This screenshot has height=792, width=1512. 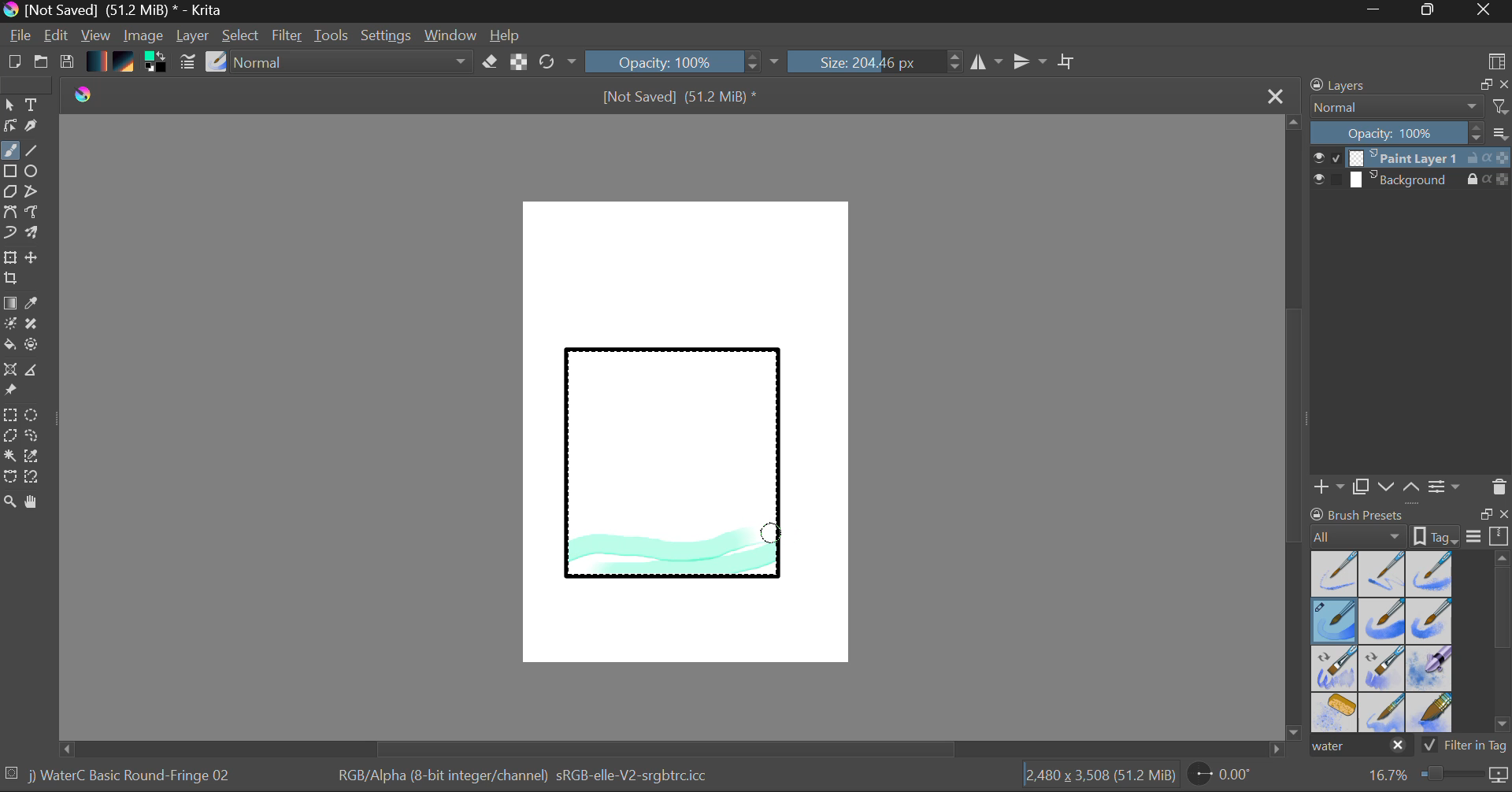 What do you see at coordinates (34, 372) in the screenshot?
I see `Measurements` at bounding box center [34, 372].